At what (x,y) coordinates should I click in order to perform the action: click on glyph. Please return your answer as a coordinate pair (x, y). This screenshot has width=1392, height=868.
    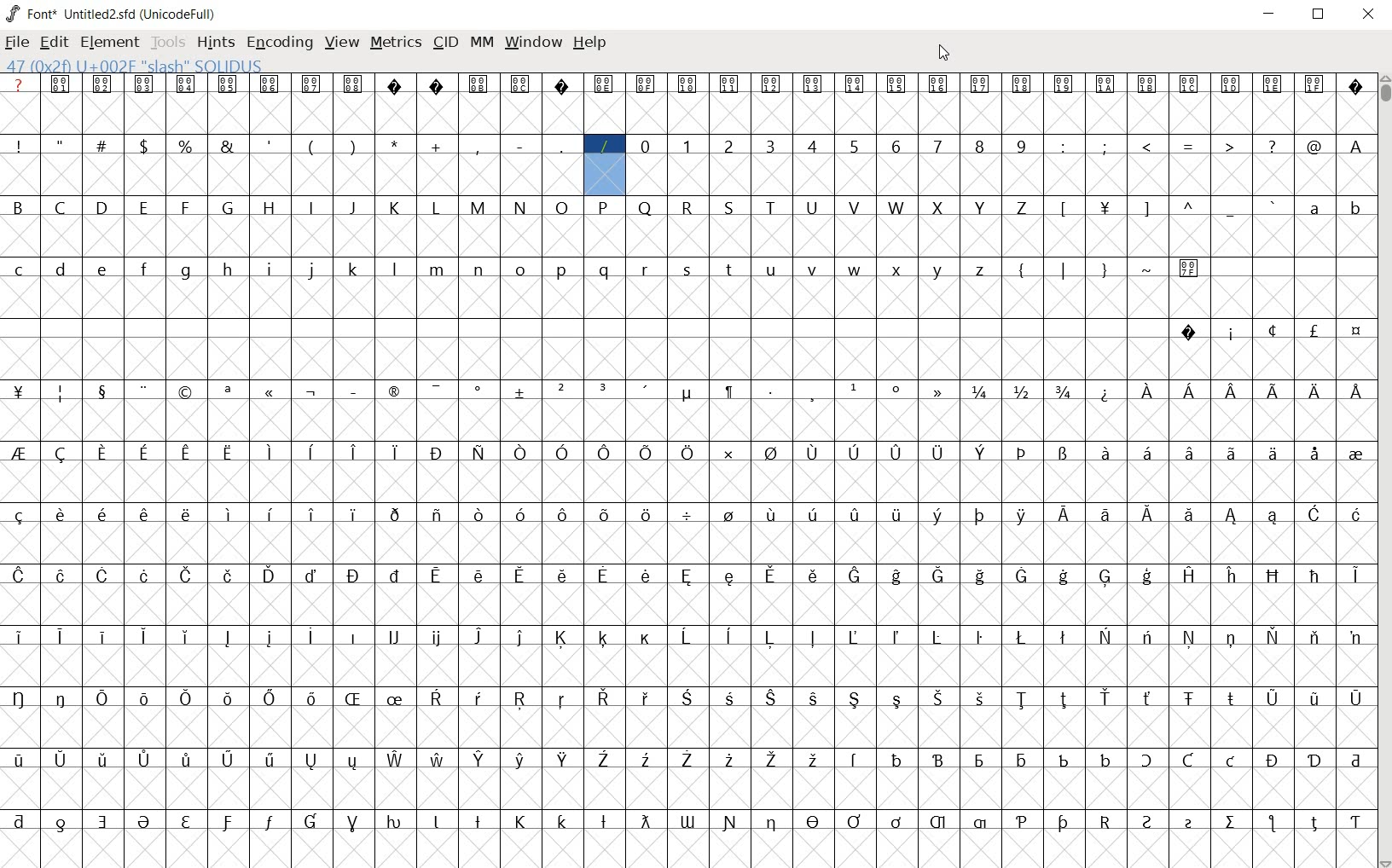
    Looking at the image, I should click on (395, 636).